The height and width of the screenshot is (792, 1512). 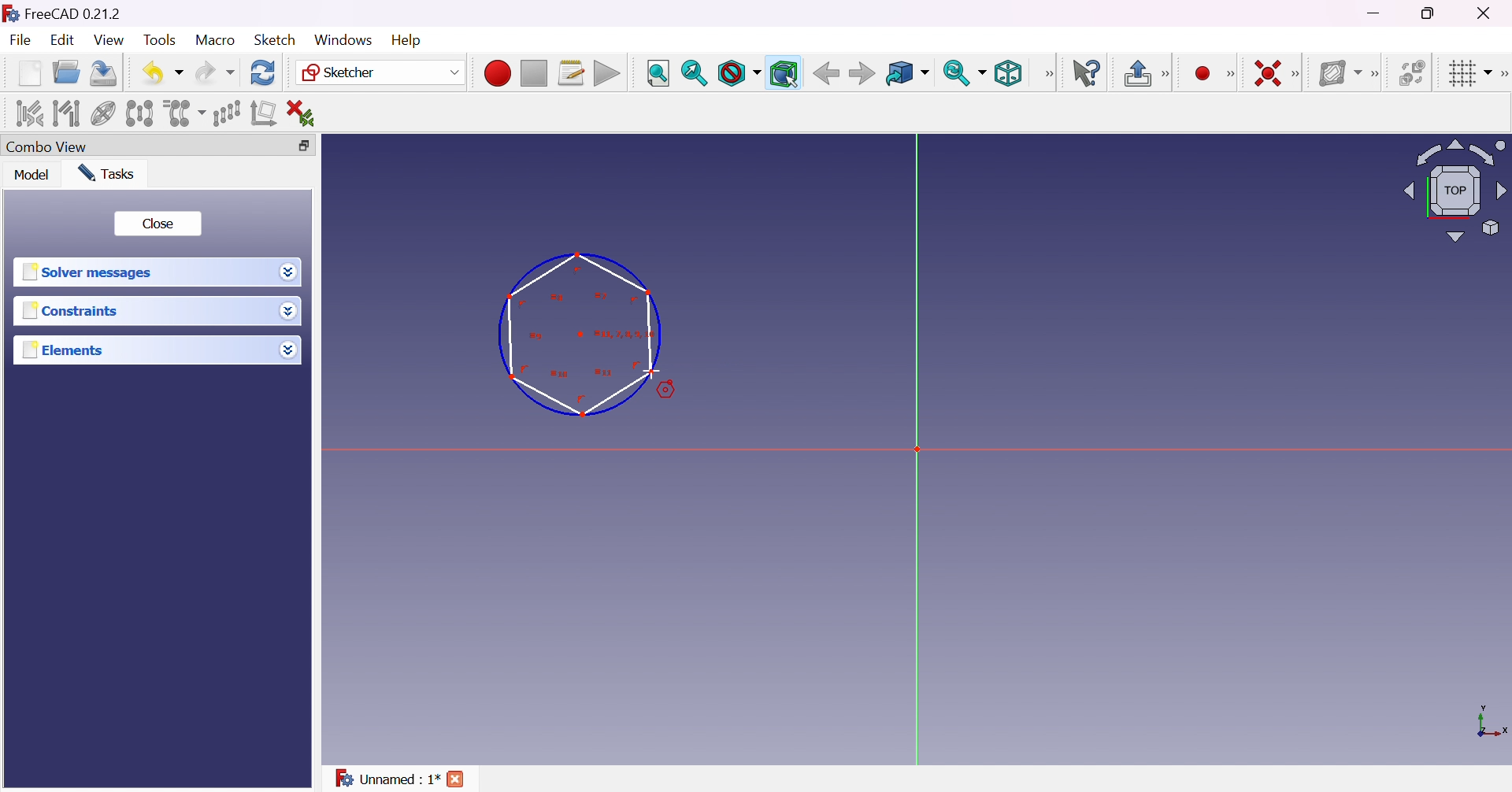 I want to click on Macro, so click(x=216, y=40).